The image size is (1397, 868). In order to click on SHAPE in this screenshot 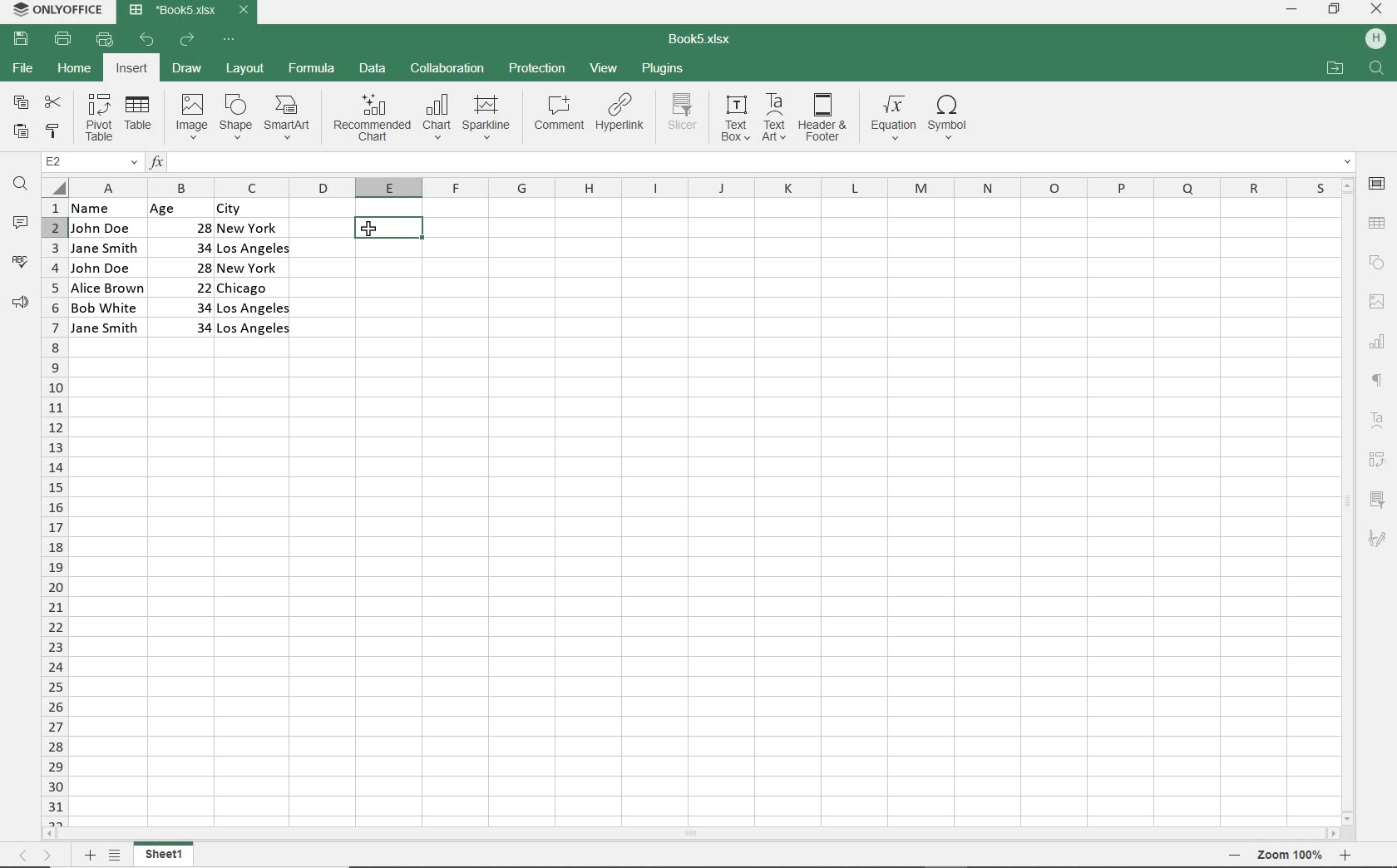, I will do `click(1376, 262)`.